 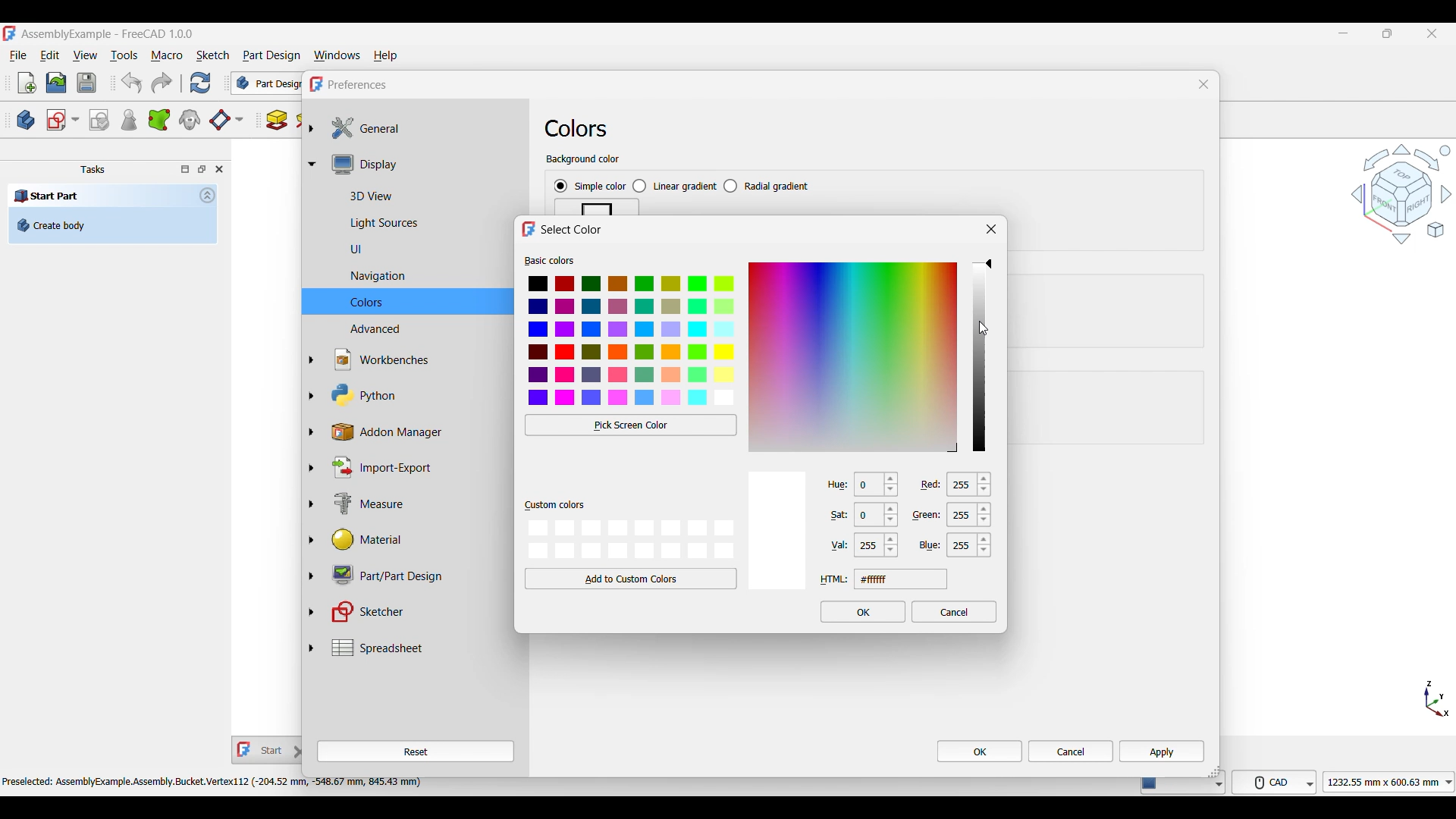 I want to click on Create a clone, so click(x=190, y=119).